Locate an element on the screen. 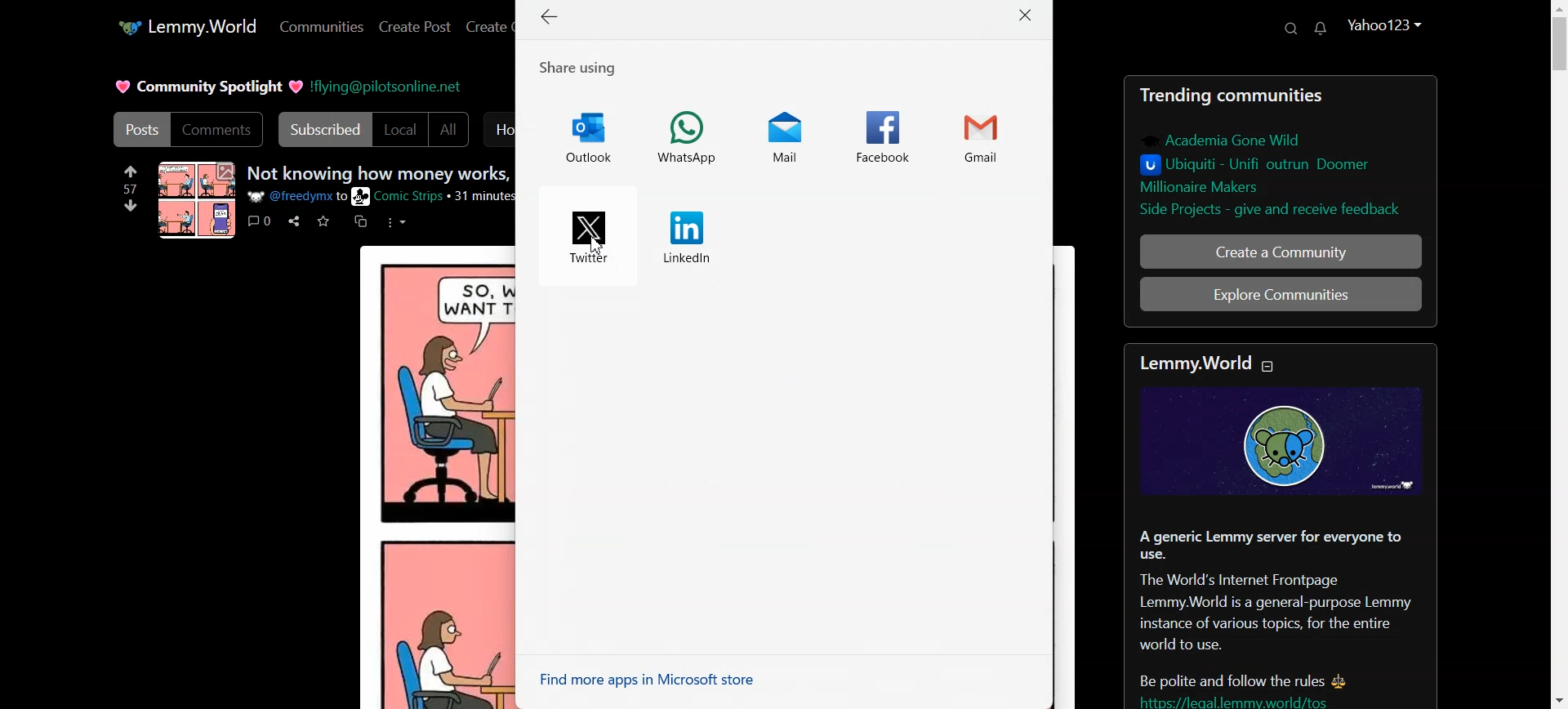 The image size is (1568, 709). Cursor is located at coordinates (599, 247).